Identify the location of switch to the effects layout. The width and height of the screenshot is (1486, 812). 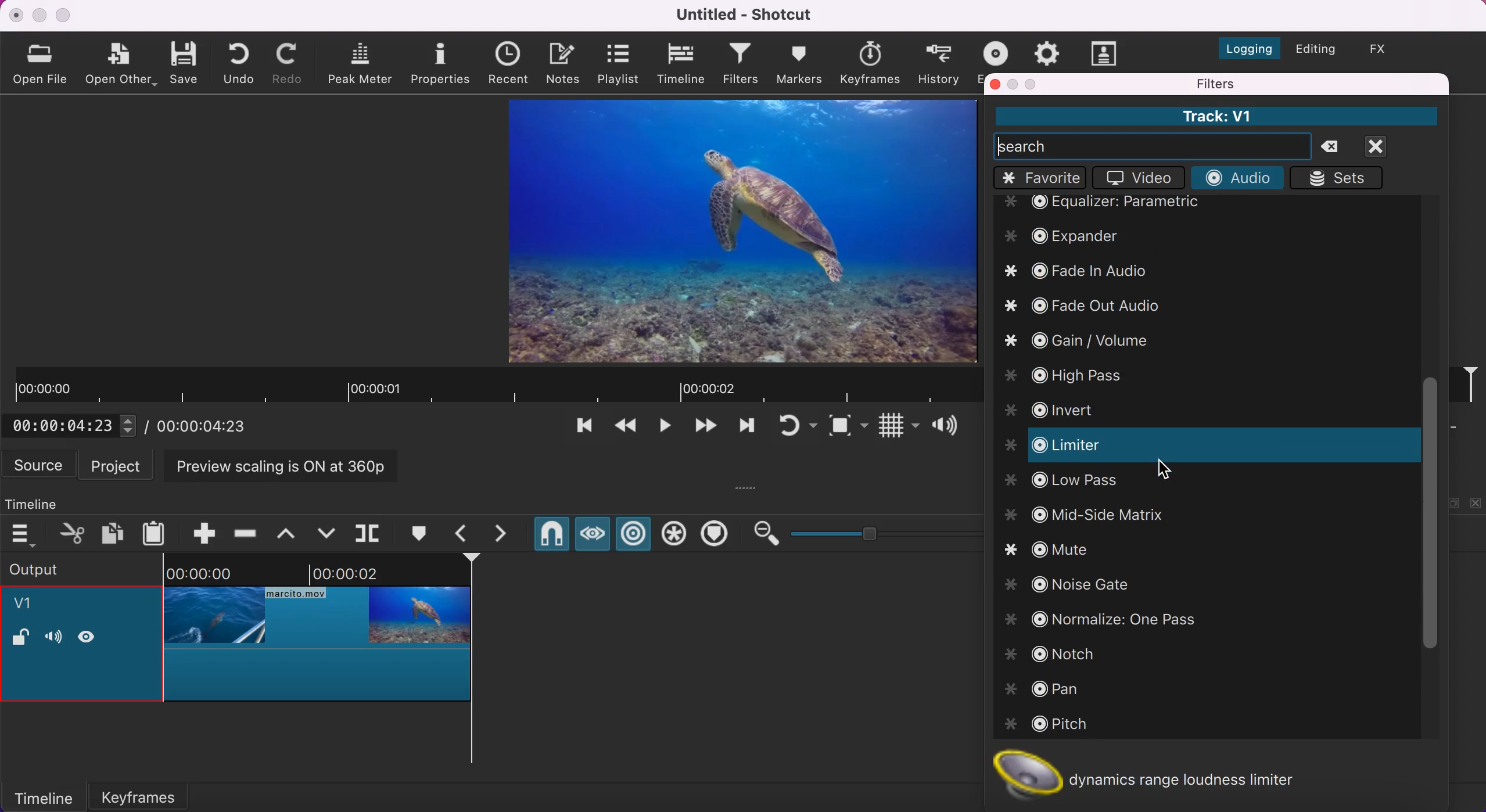
(1387, 49).